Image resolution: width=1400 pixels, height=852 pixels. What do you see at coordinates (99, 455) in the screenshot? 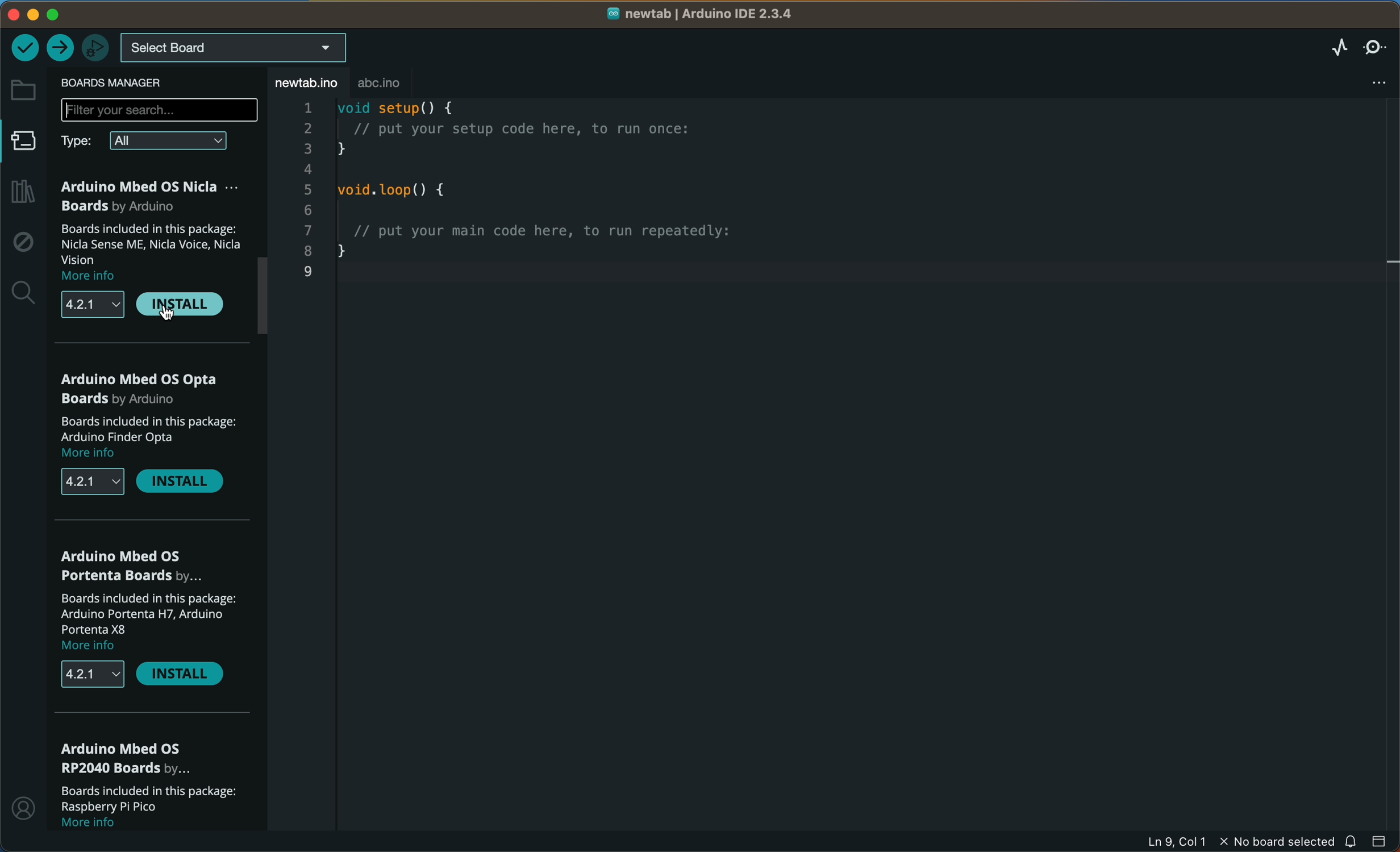
I see `more info` at bounding box center [99, 455].